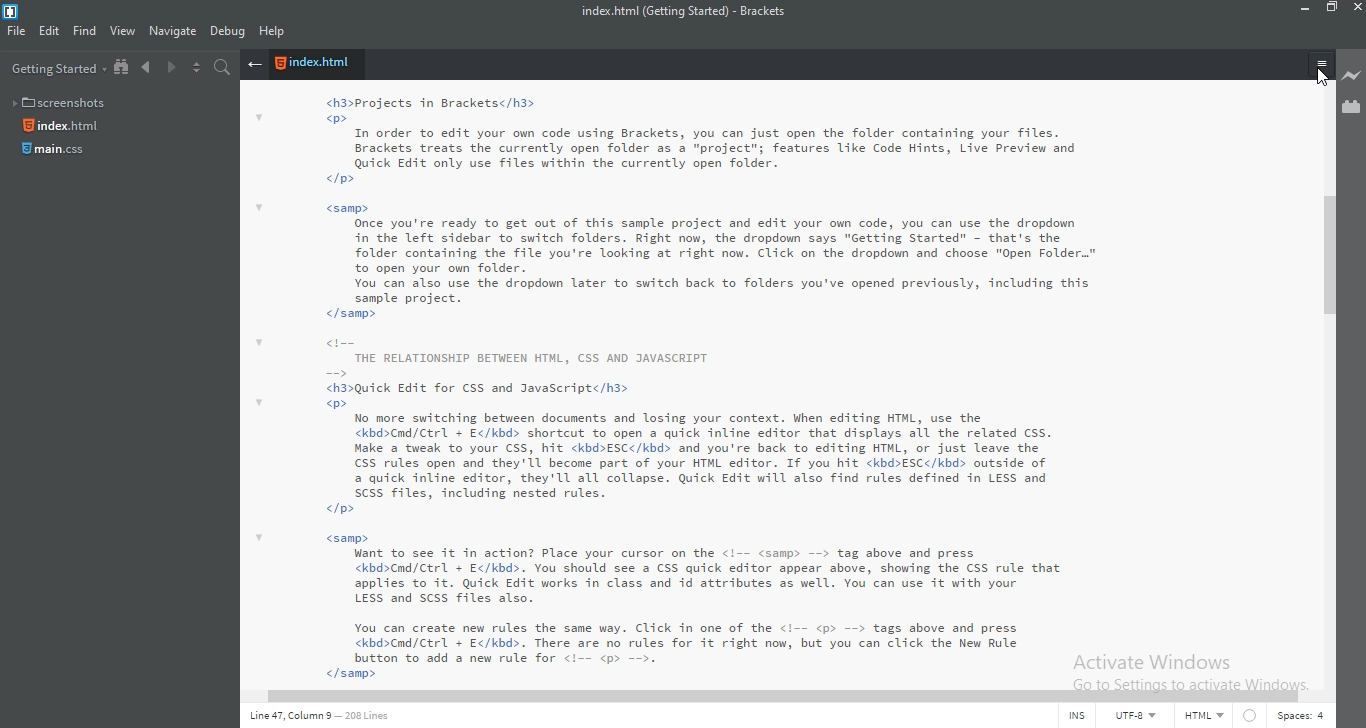 Image resolution: width=1366 pixels, height=728 pixels. What do you see at coordinates (172, 31) in the screenshot?
I see `Navigate` at bounding box center [172, 31].